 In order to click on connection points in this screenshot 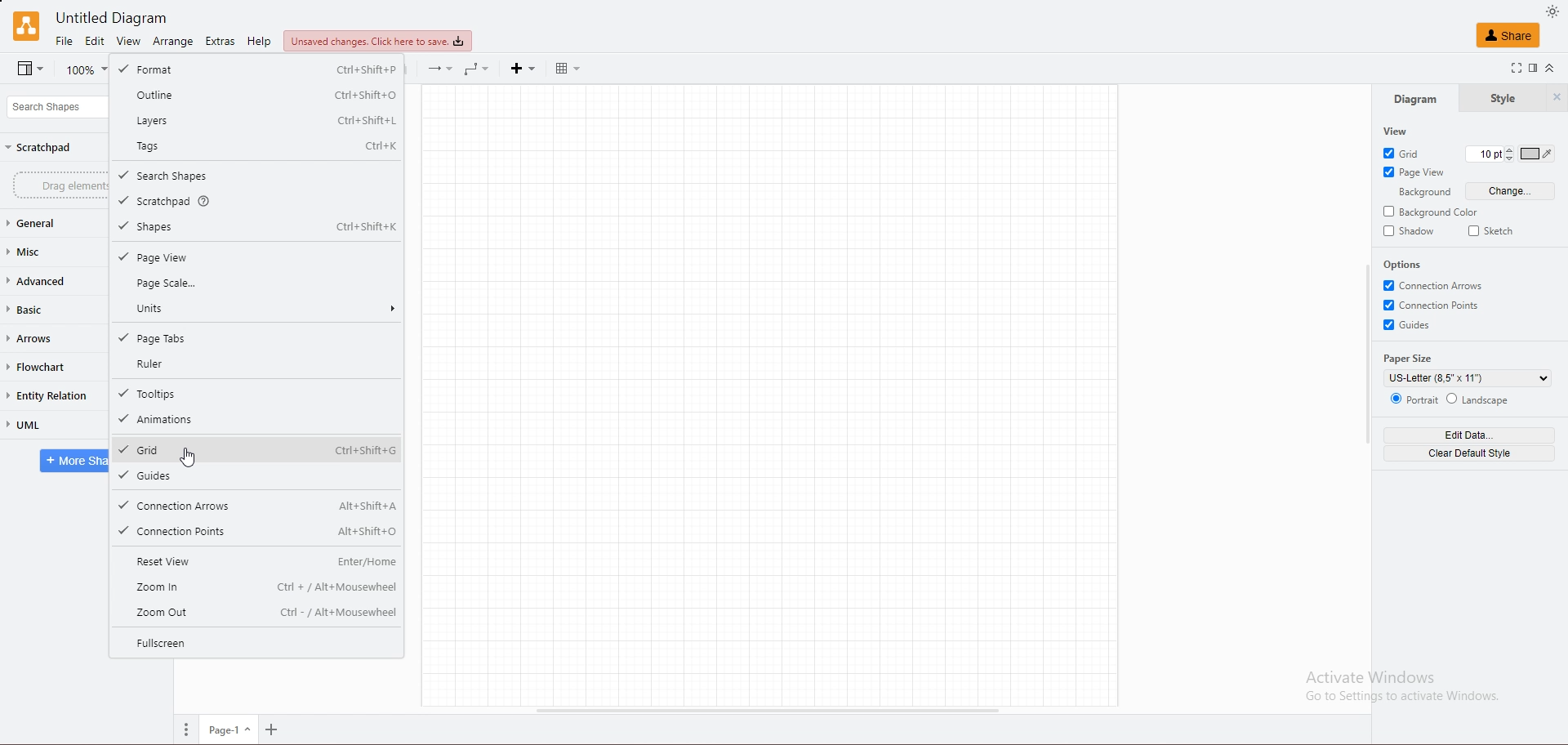, I will do `click(1437, 305)`.